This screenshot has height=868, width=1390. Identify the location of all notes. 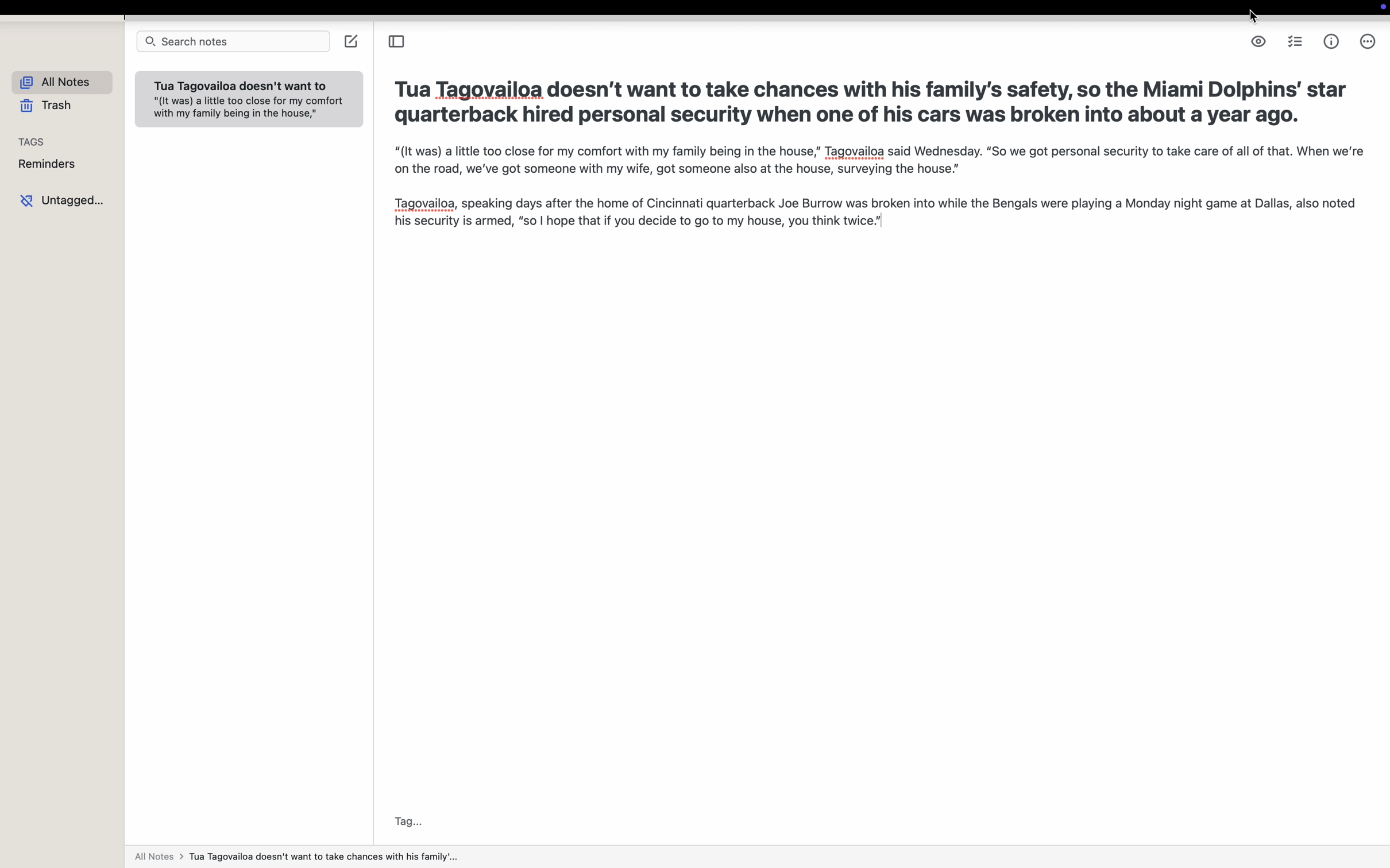
(57, 82).